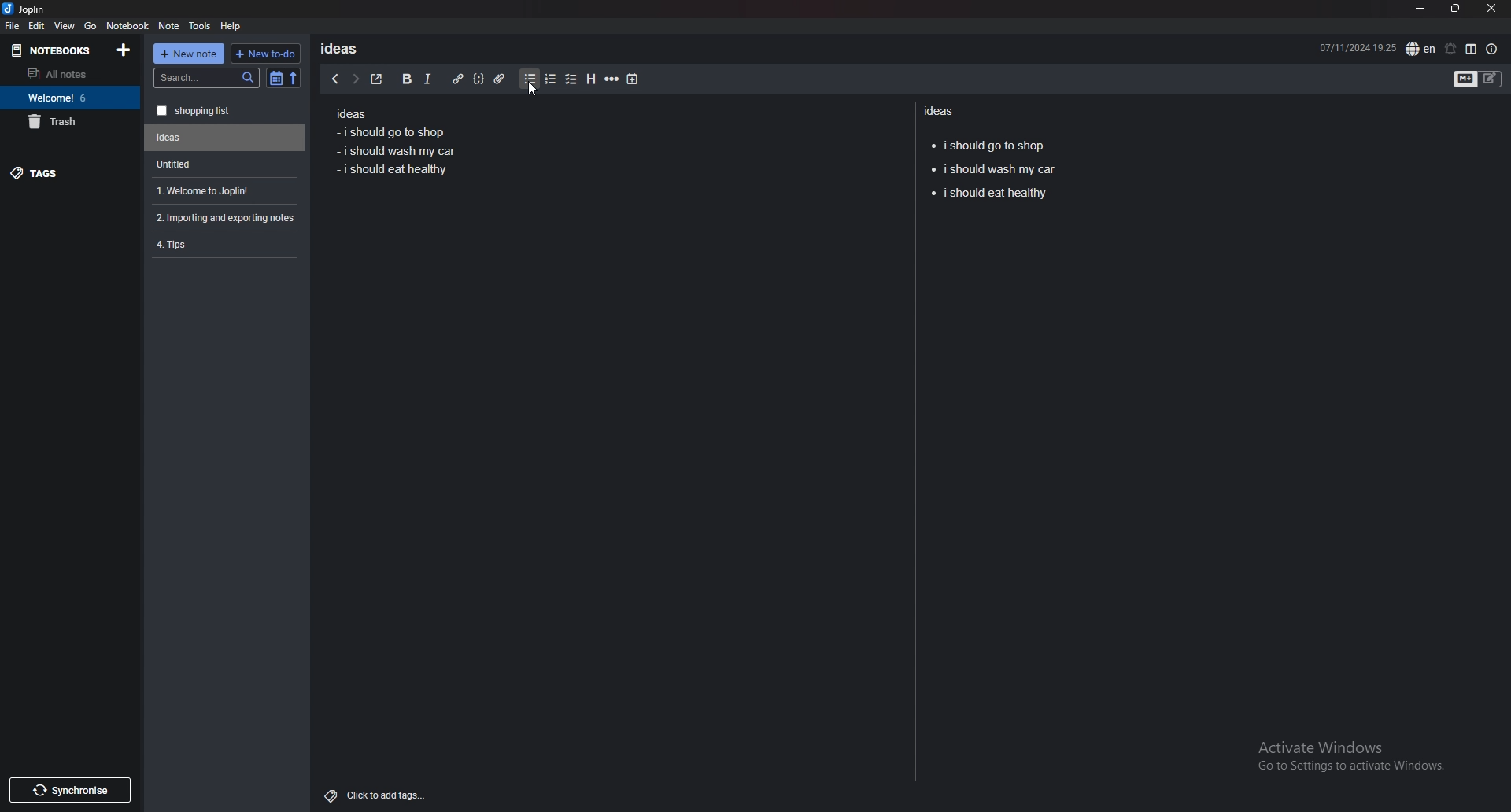 The width and height of the screenshot is (1511, 812). I want to click on heading, so click(589, 79).